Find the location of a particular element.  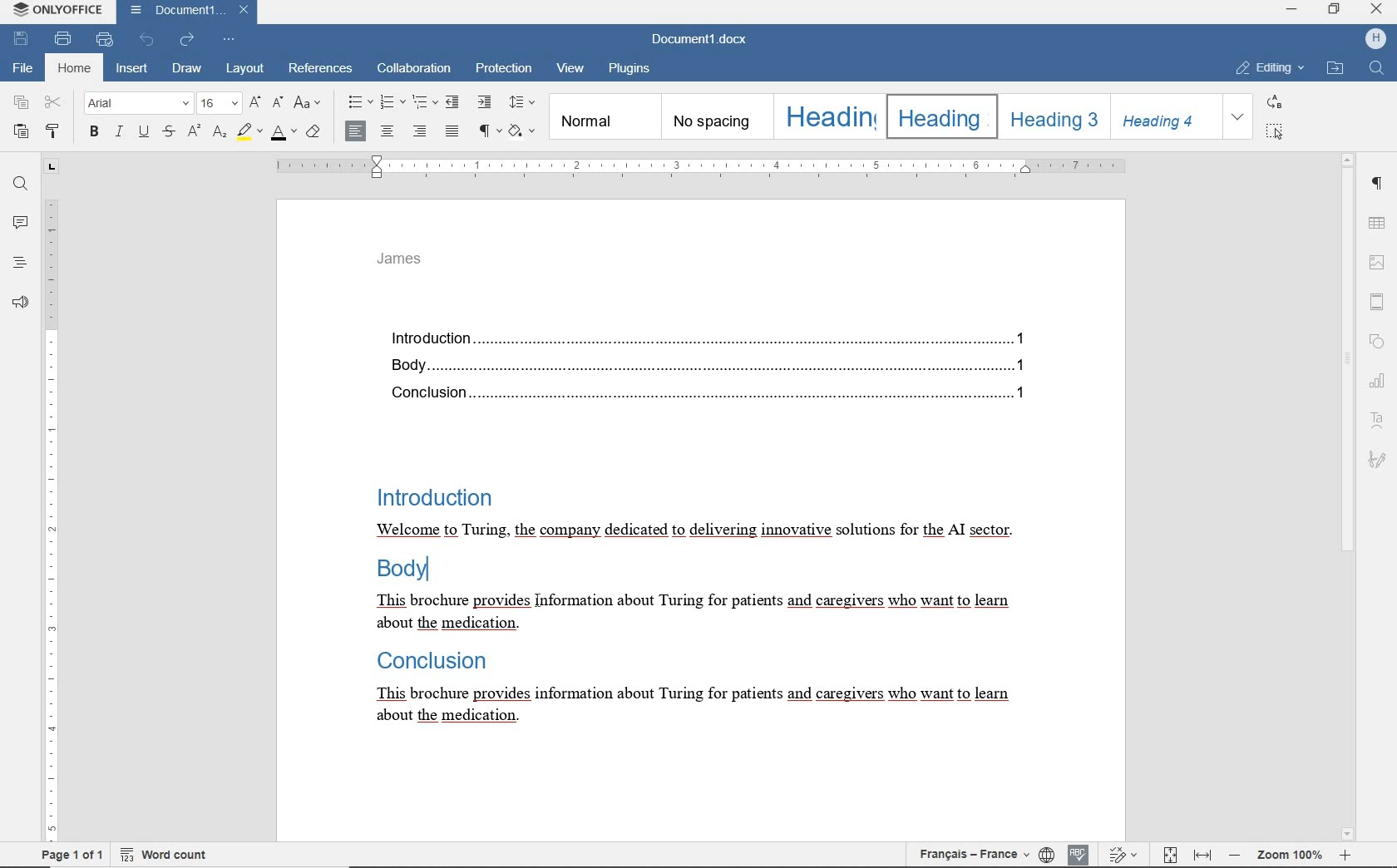

RESTORE DOWN is located at coordinates (1335, 9).